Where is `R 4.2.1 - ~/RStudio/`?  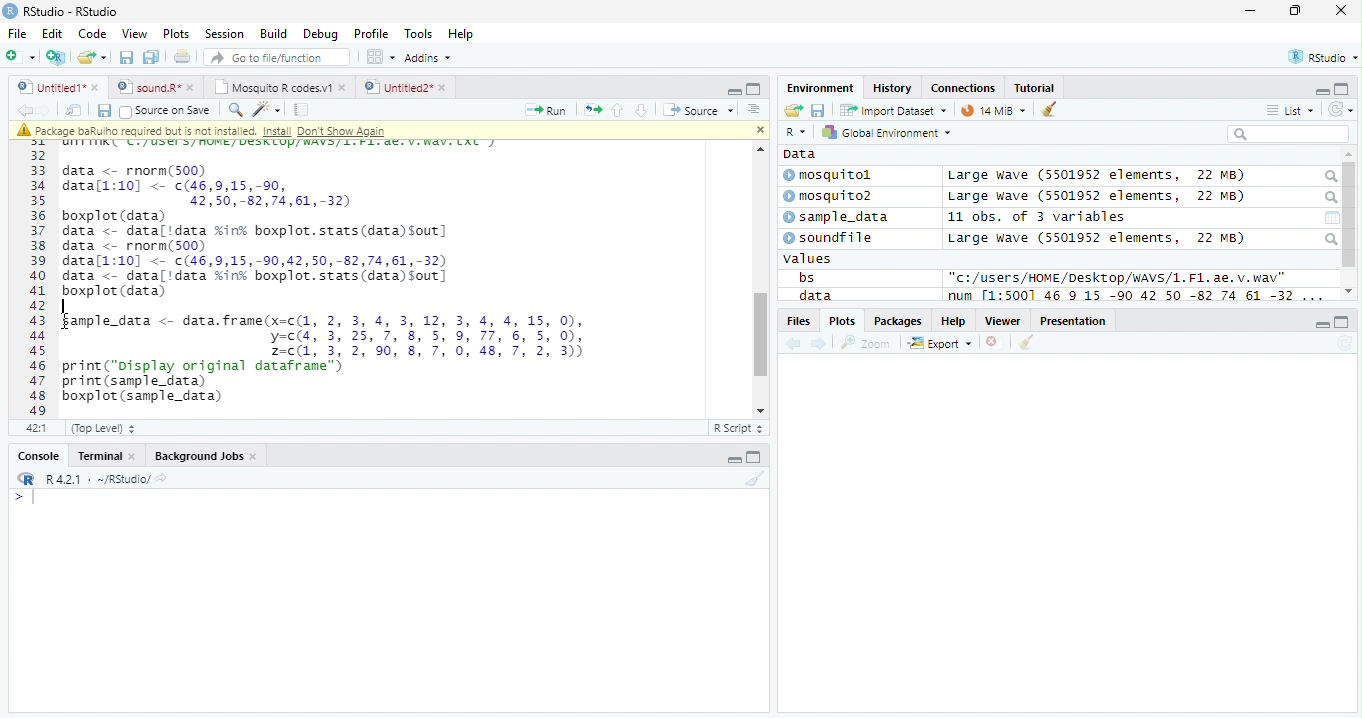
R 4.2.1 - ~/RStudio/ is located at coordinates (98, 481).